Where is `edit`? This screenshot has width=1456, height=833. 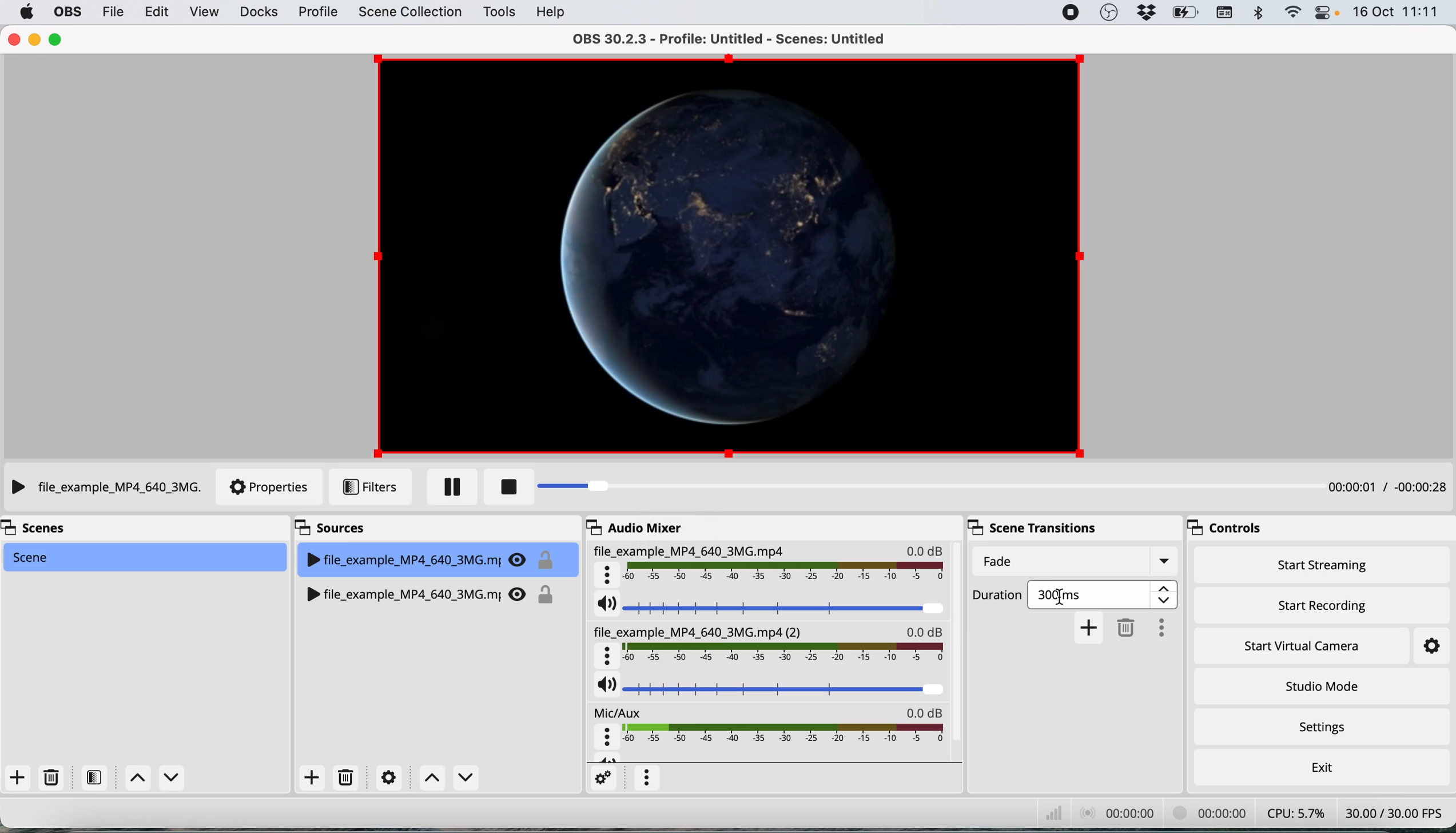
edit is located at coordinates (161, 13).